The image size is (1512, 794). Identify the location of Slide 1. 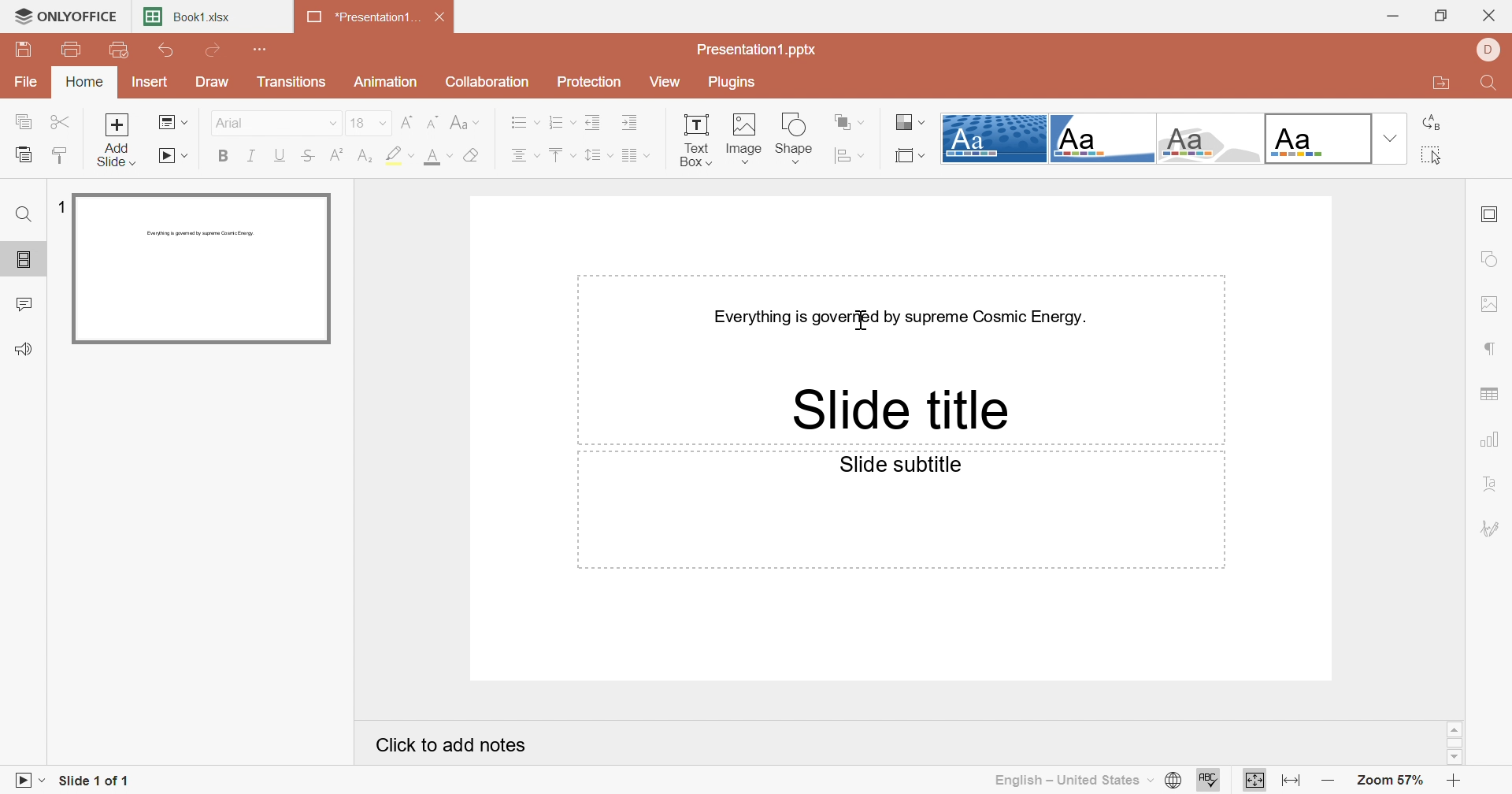
(202, 269).